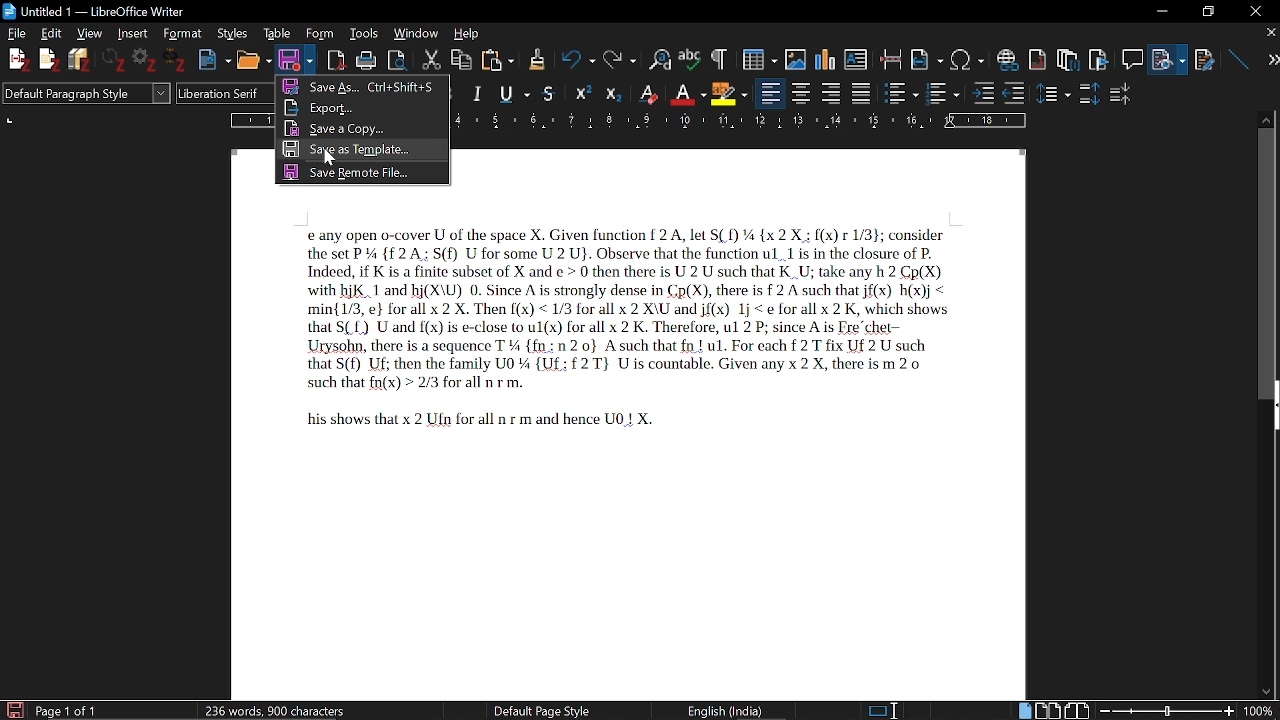 This screenshot has height=720, width=1280. Describe the element at coordinates (891, 56) in the screenshot. I see `Insert page break` at that location.